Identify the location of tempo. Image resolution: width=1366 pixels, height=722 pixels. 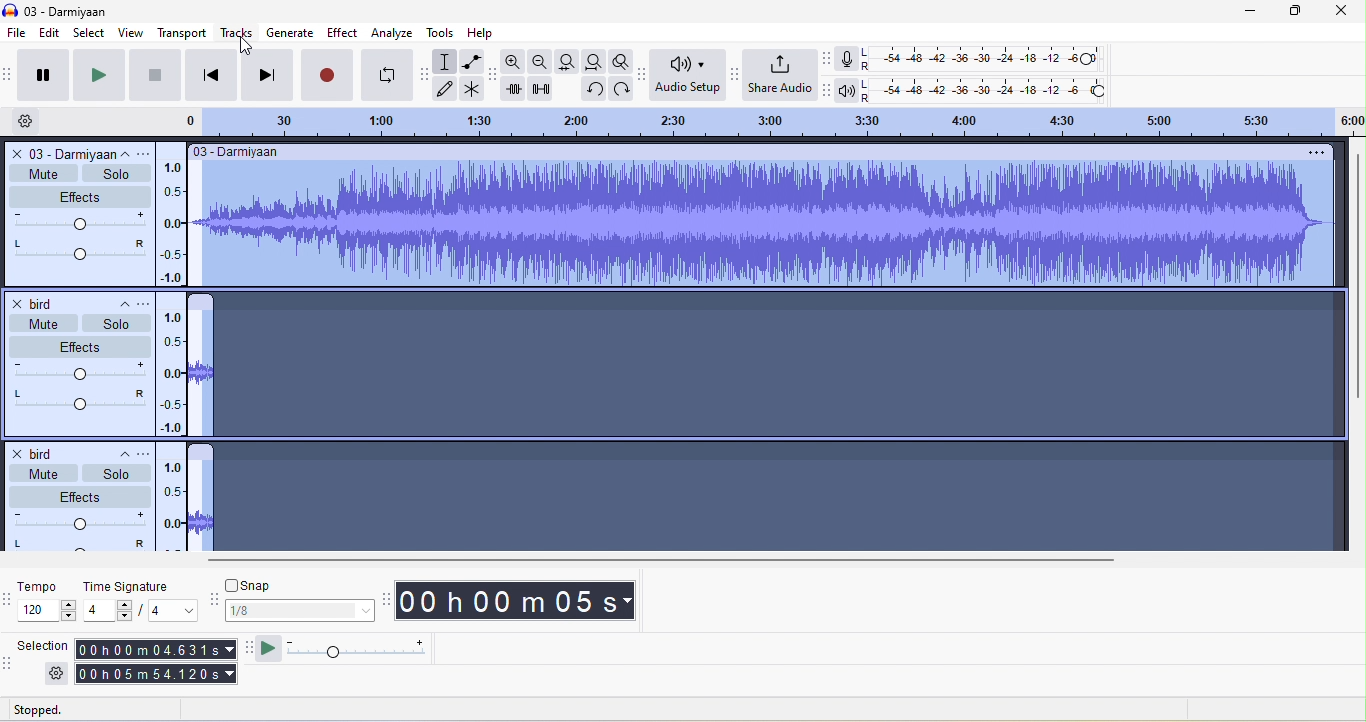
(47, 602).